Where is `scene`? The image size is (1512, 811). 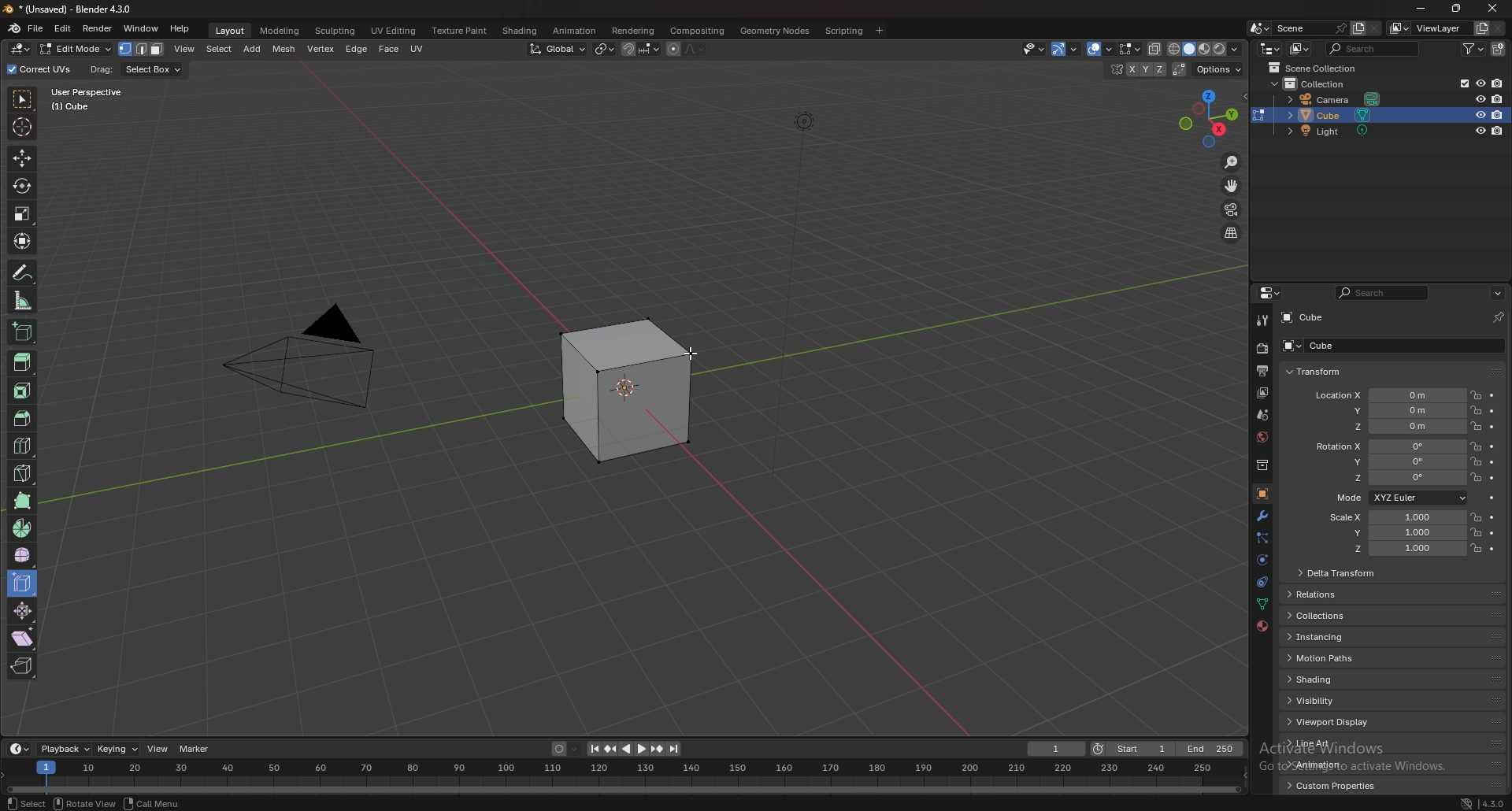
scene is located at coordinates (1311, 27).